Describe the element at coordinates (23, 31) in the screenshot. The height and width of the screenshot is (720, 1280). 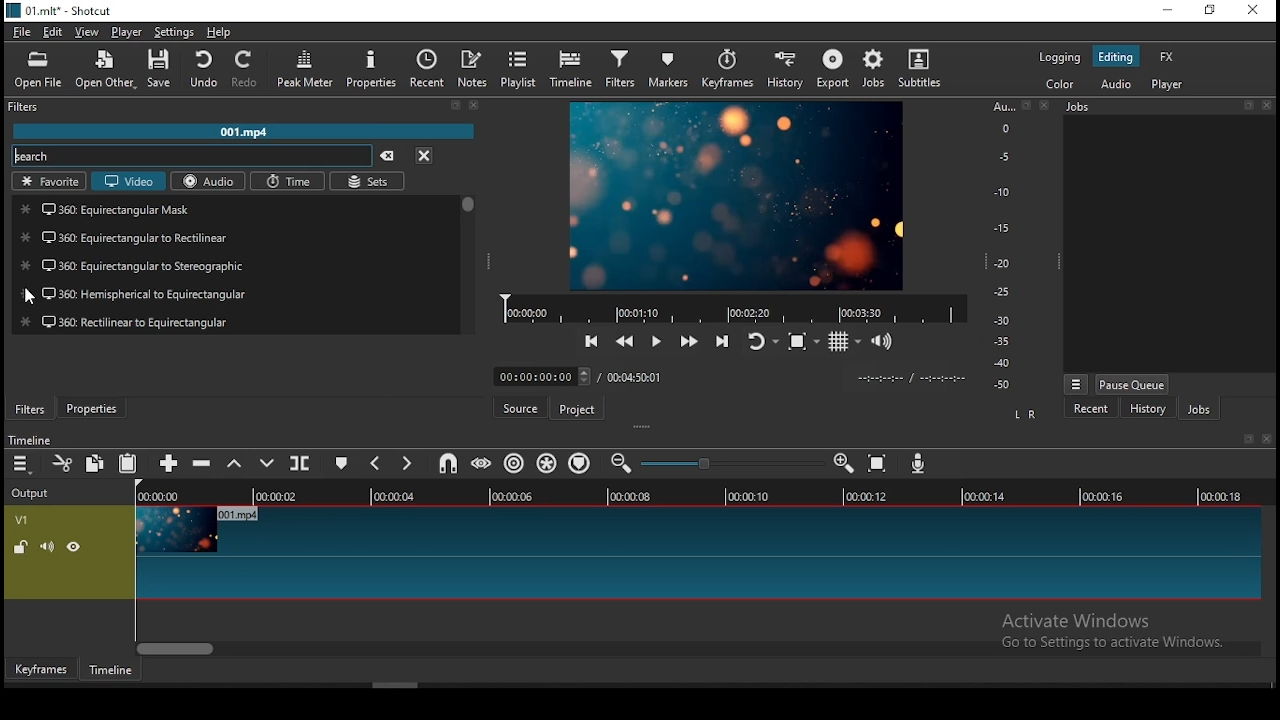
I see `file` at that location.